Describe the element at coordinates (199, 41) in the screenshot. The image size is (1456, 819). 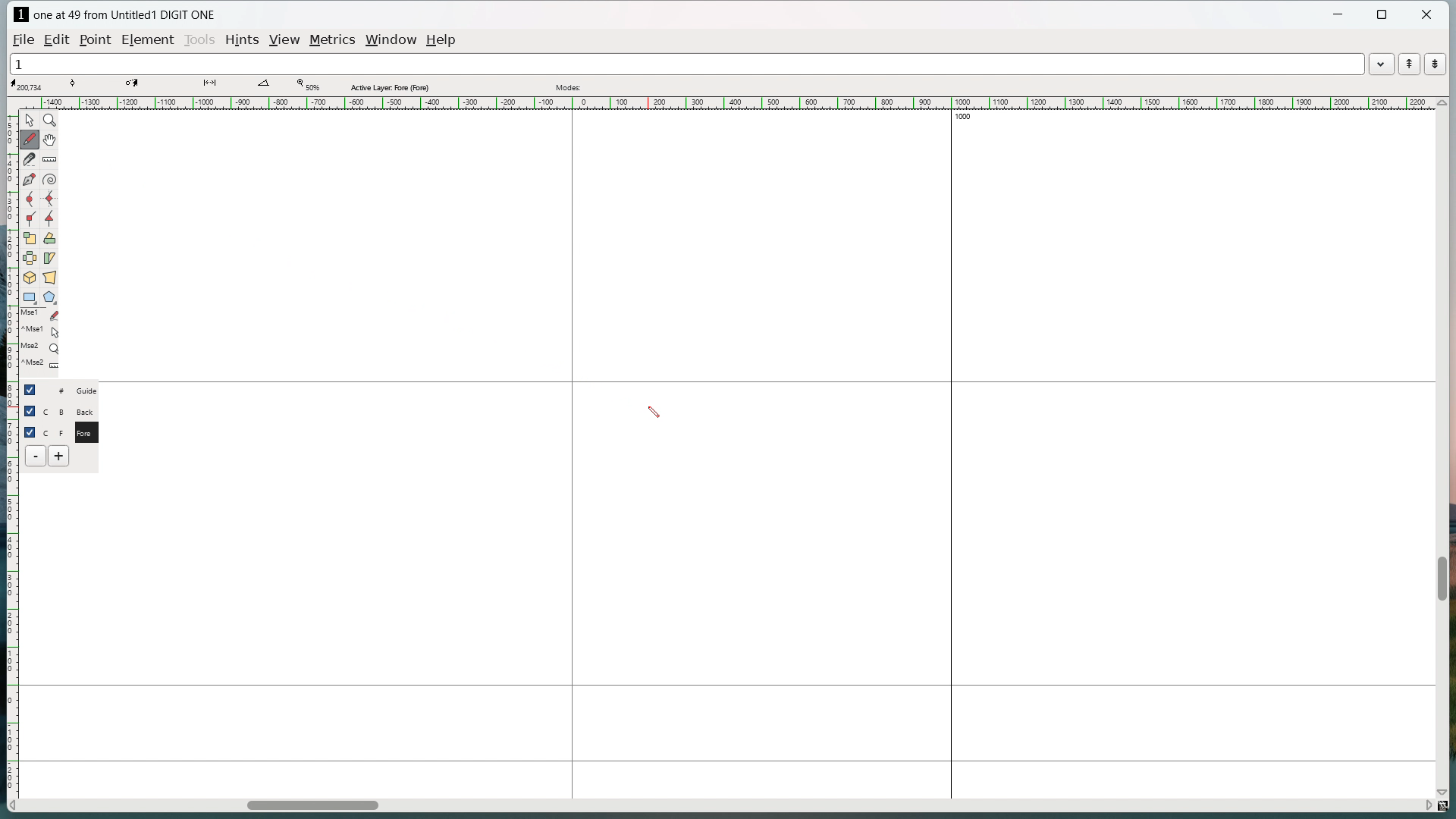
I see `tools` at that location.